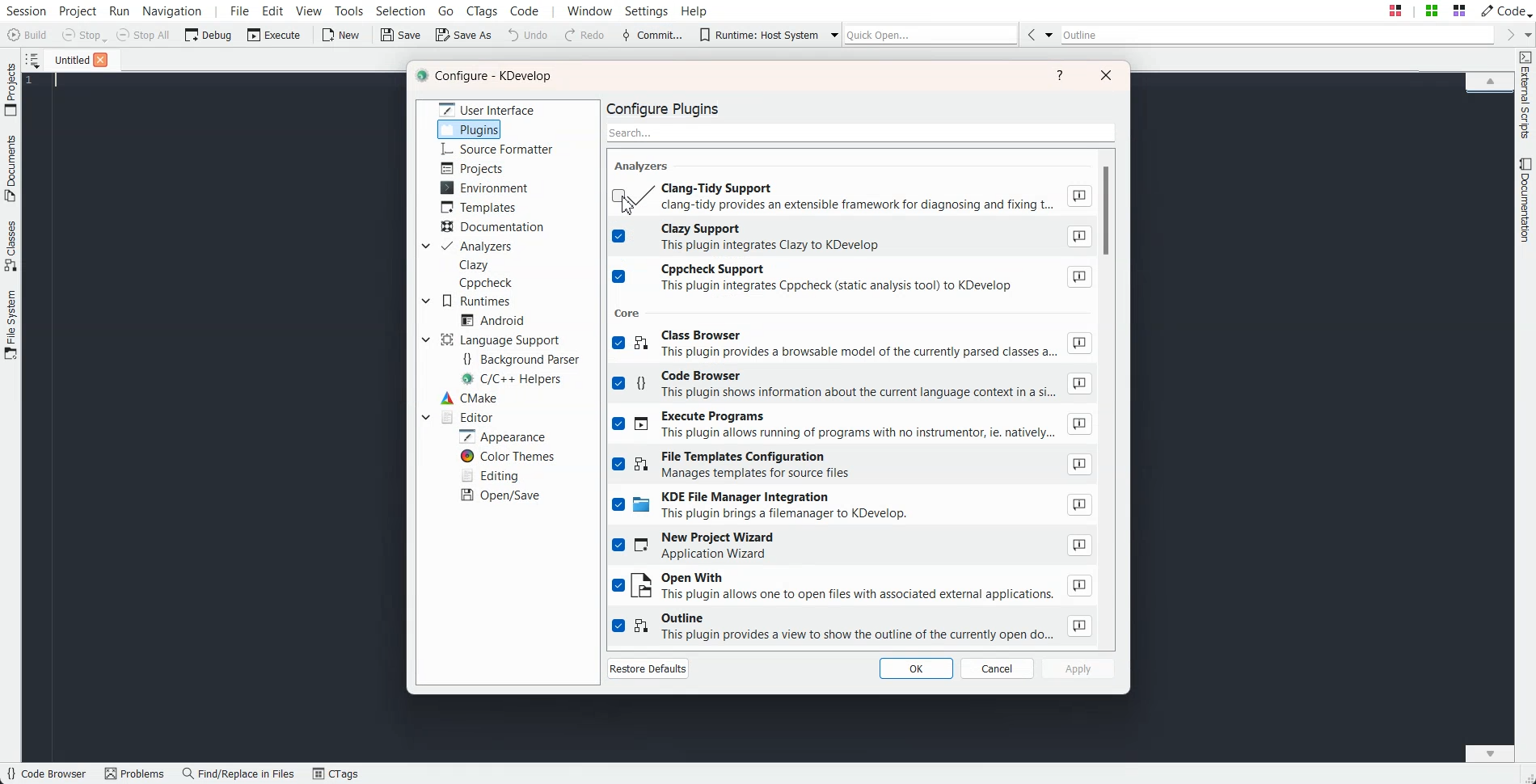  I want to click on Projects, so click(474, 168).